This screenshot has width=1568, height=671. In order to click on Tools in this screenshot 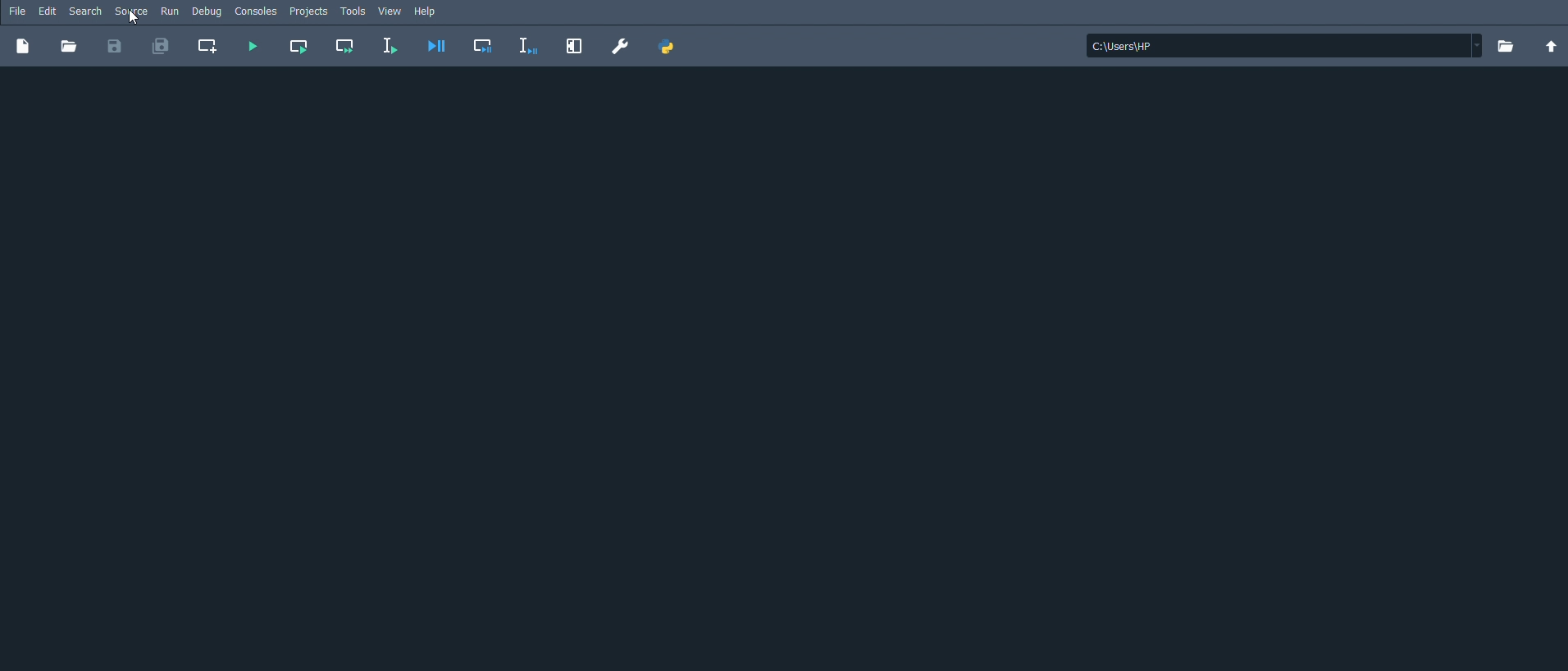, I will do `click(356, 12)`.